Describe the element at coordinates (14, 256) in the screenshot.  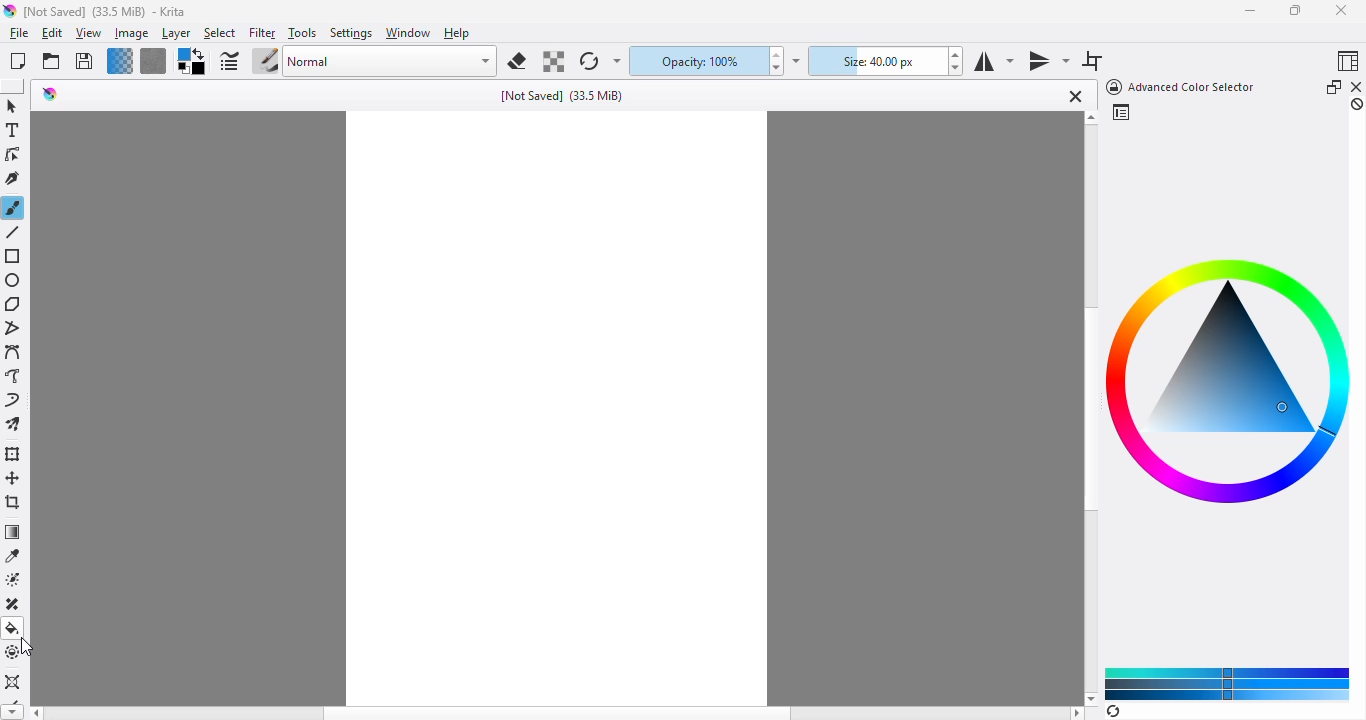
I see `rectangle tool` at that location.